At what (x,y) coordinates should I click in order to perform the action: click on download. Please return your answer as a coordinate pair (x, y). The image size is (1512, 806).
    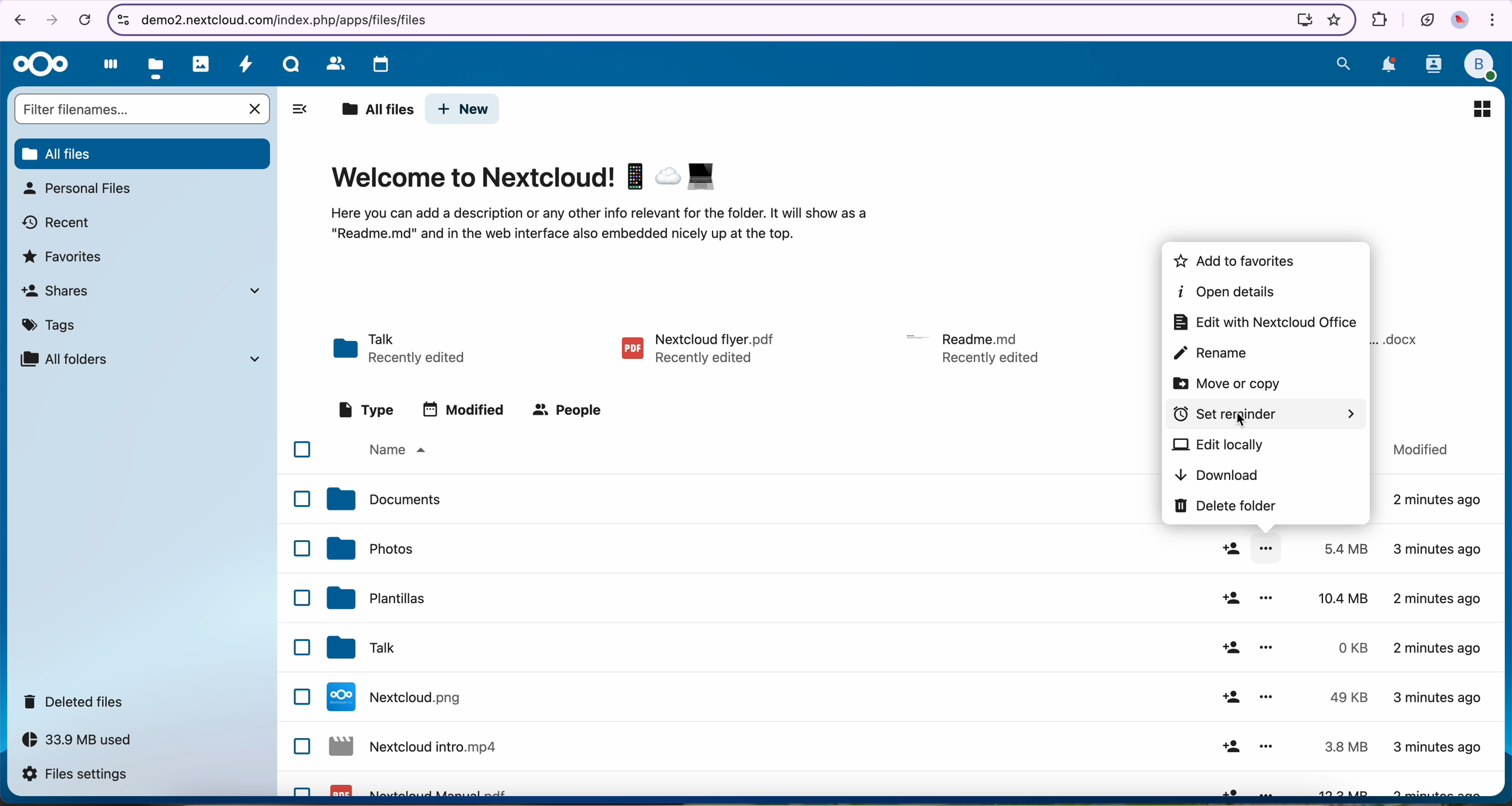
    Looking at the image, I should click on (1216, 475).